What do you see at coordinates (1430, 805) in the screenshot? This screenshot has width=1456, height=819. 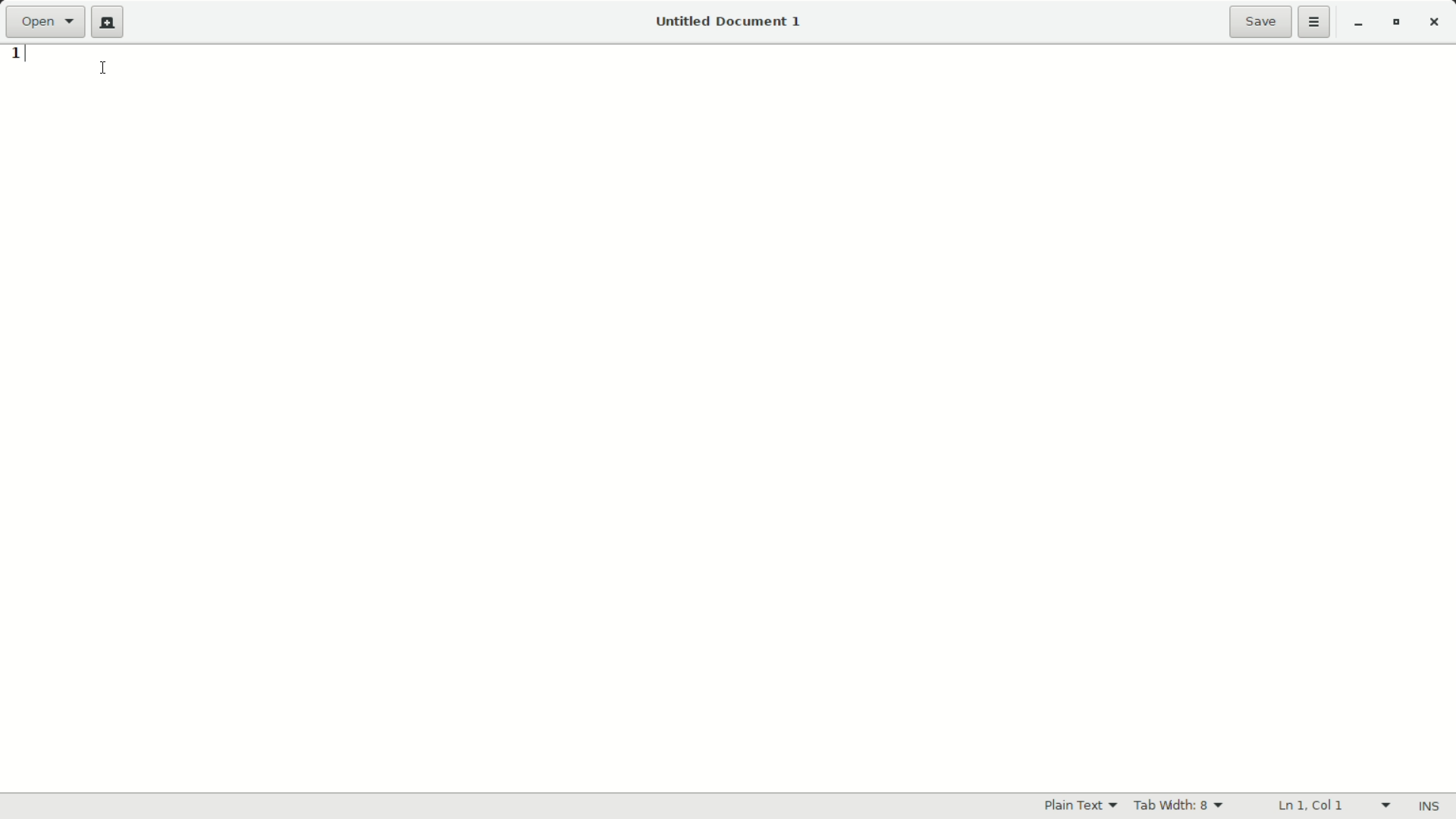 I see `INS` at bounding box center [1430, 805].